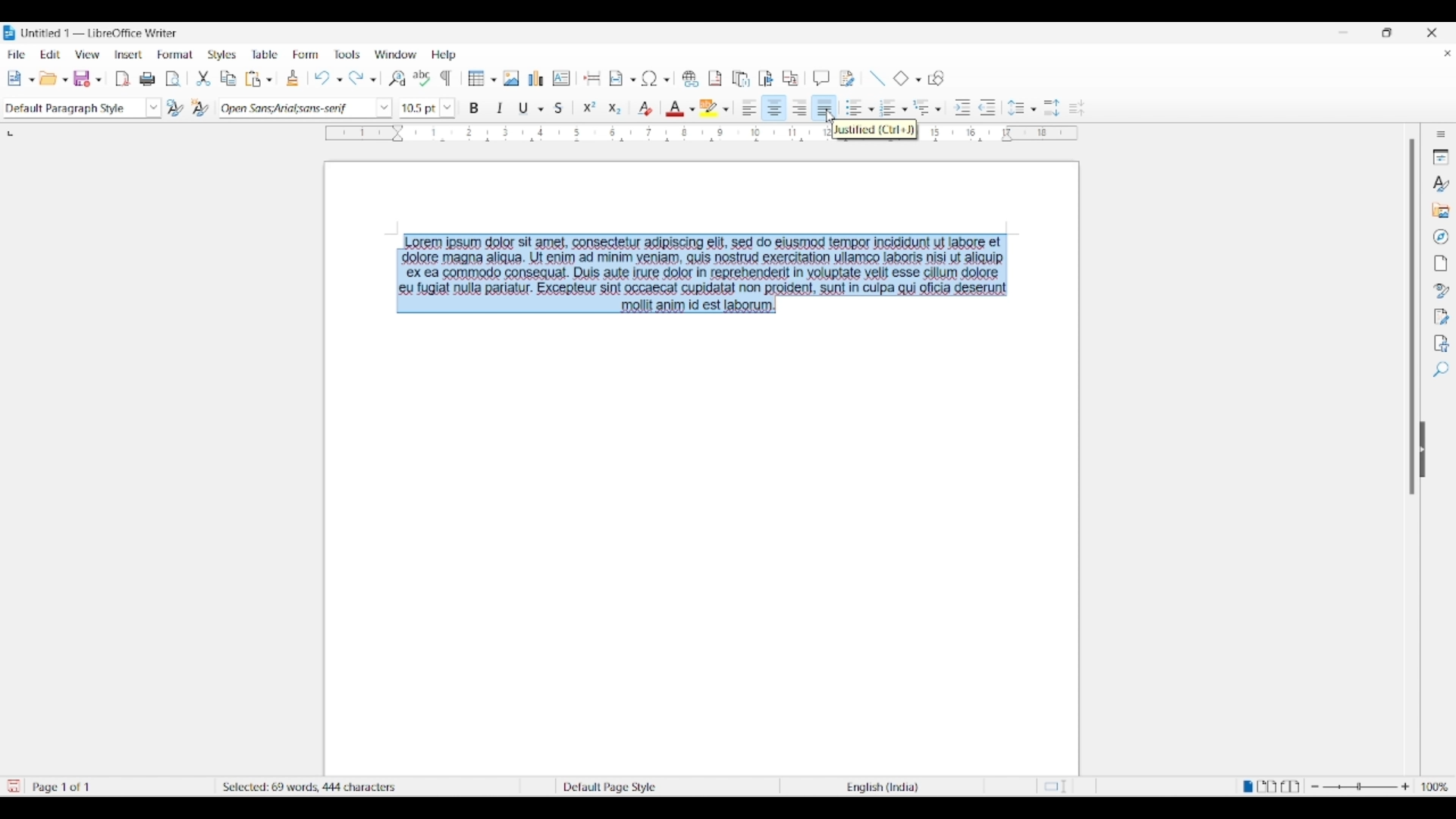  What do you see at coordinates (589, 108) in the screenshot?
I see `Superscript` at bounding box center [589, 108].